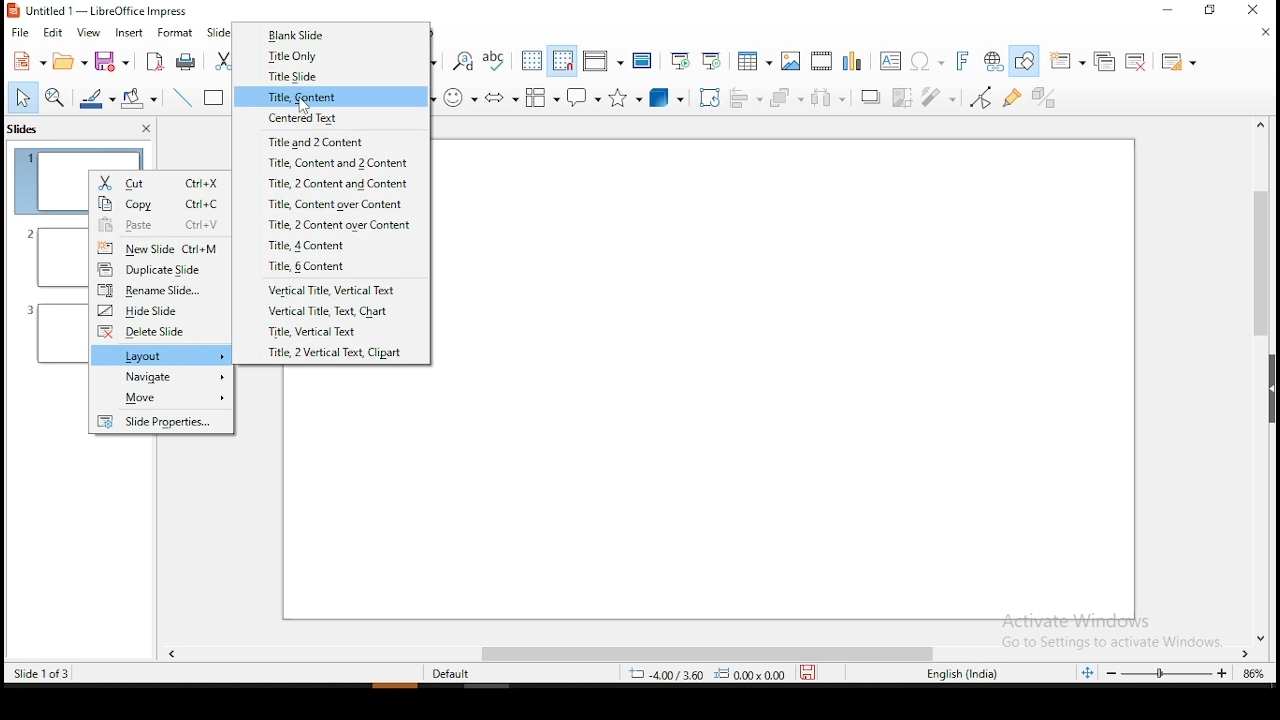 The height and width of the screenshot is (720, 1280). What do you see at coordinates (29, 63) in the screenshot?
I see `new tool` at bounding box center [29, 63].